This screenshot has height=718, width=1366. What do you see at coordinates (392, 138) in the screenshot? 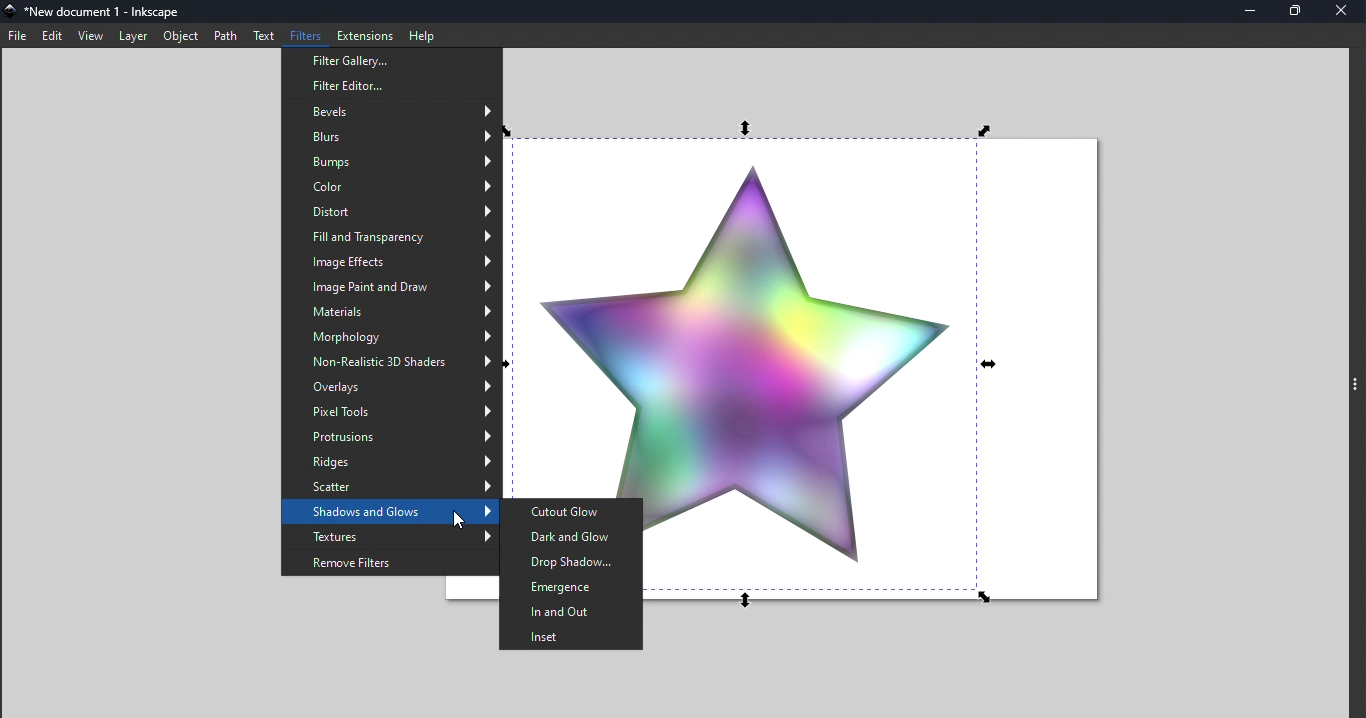
I see `Blurs` at bounding box center [392, 138].